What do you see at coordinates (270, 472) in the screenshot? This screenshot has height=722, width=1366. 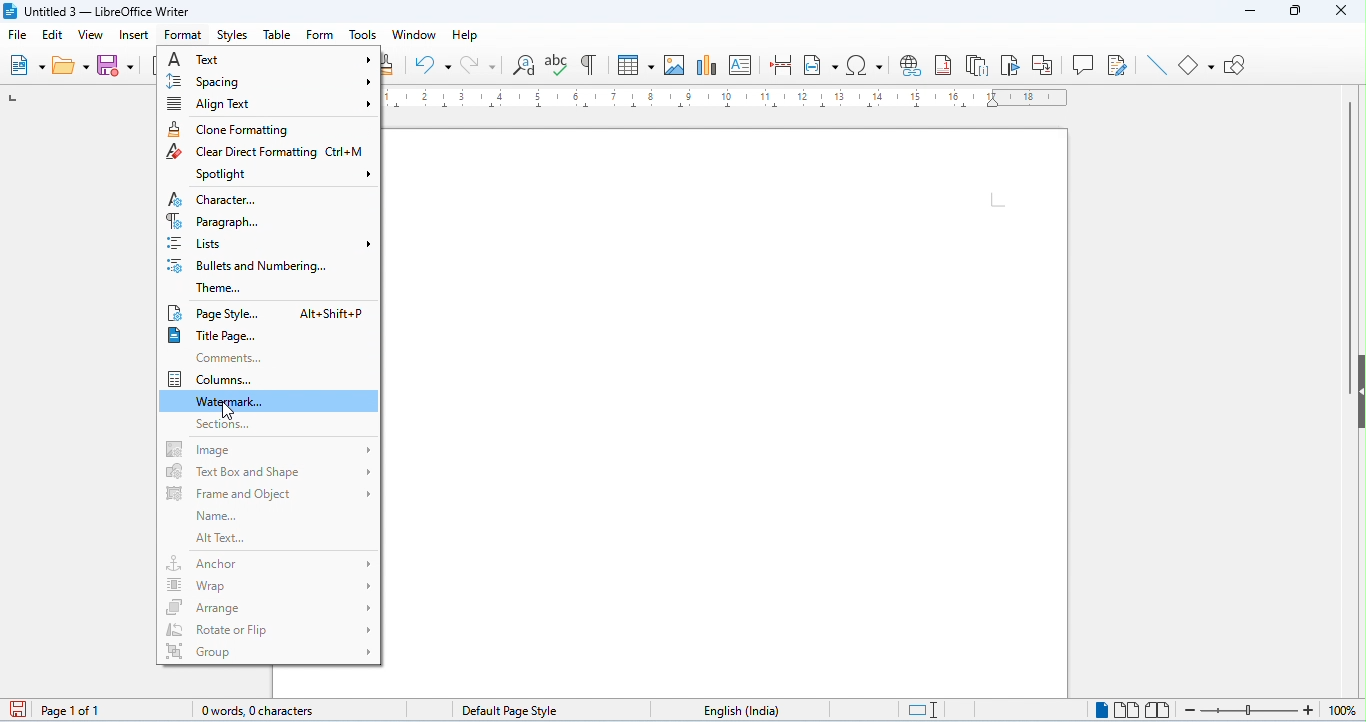 I see `text box and shape` at bounding box center [270, 472].